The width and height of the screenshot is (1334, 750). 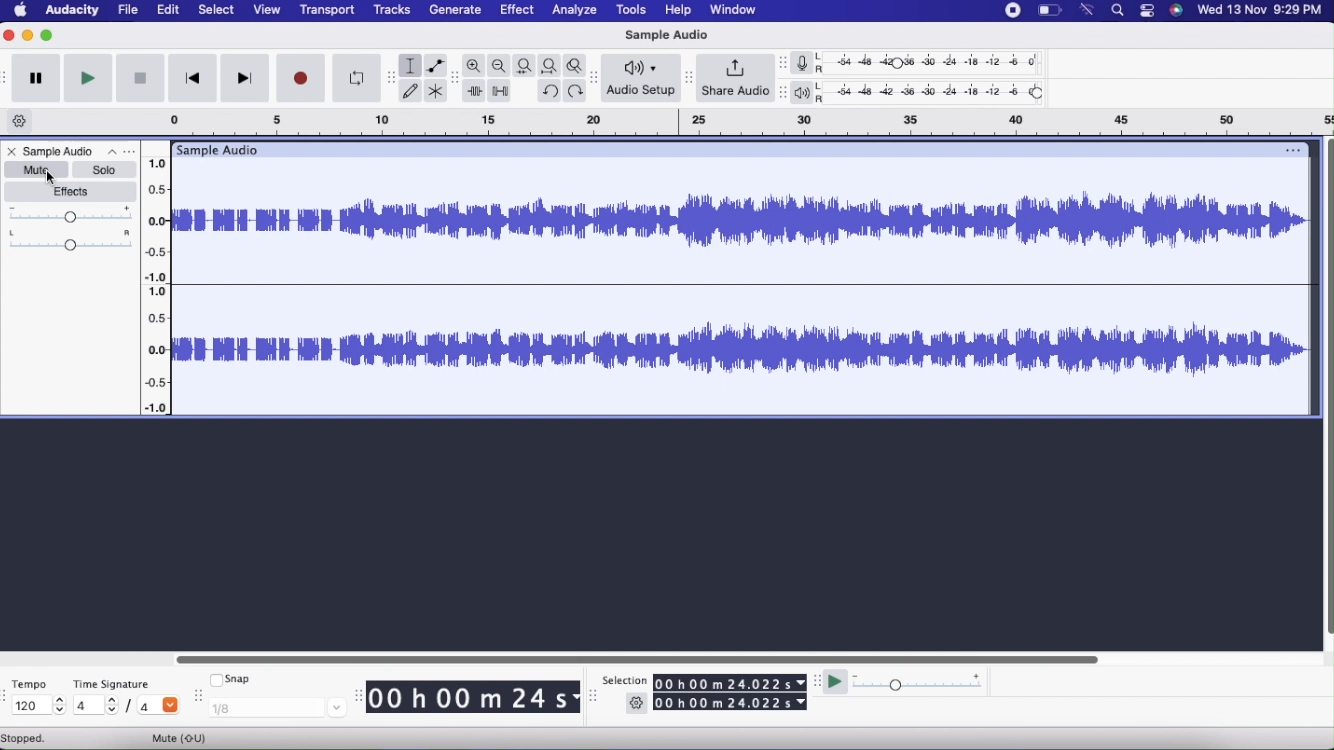 What do you see at coordinates (523, 65) in the screenshot?
I see `Fit selection to width` at bounding box center [523, 65].